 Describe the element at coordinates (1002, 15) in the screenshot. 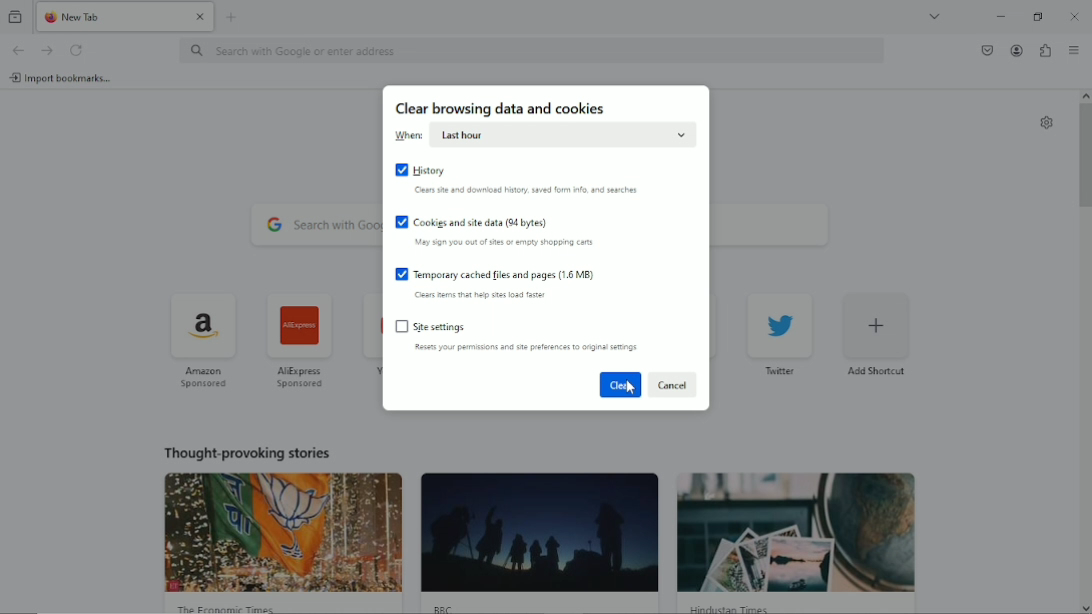

I see `Minimize` at that location.